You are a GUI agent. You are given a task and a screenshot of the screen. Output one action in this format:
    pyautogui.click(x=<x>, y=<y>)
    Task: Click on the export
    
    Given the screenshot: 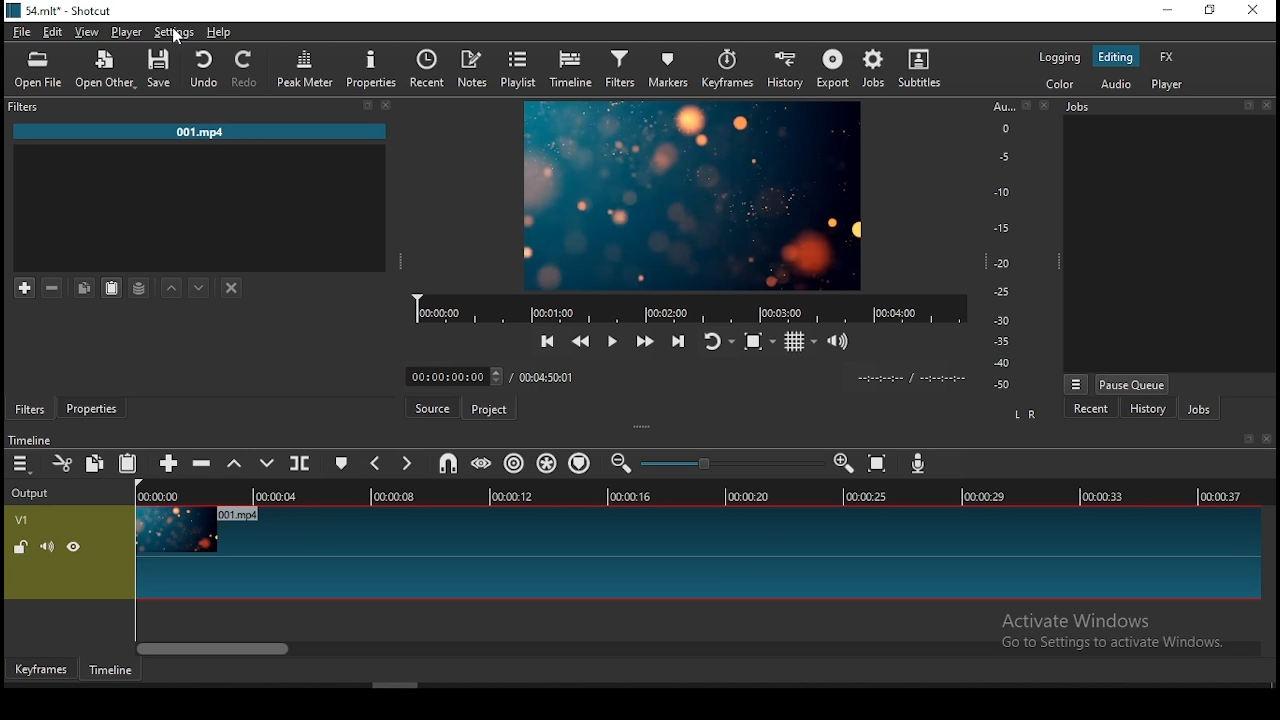 What is the action you would take?
    pyautogui.click(x=832, y=68)
    